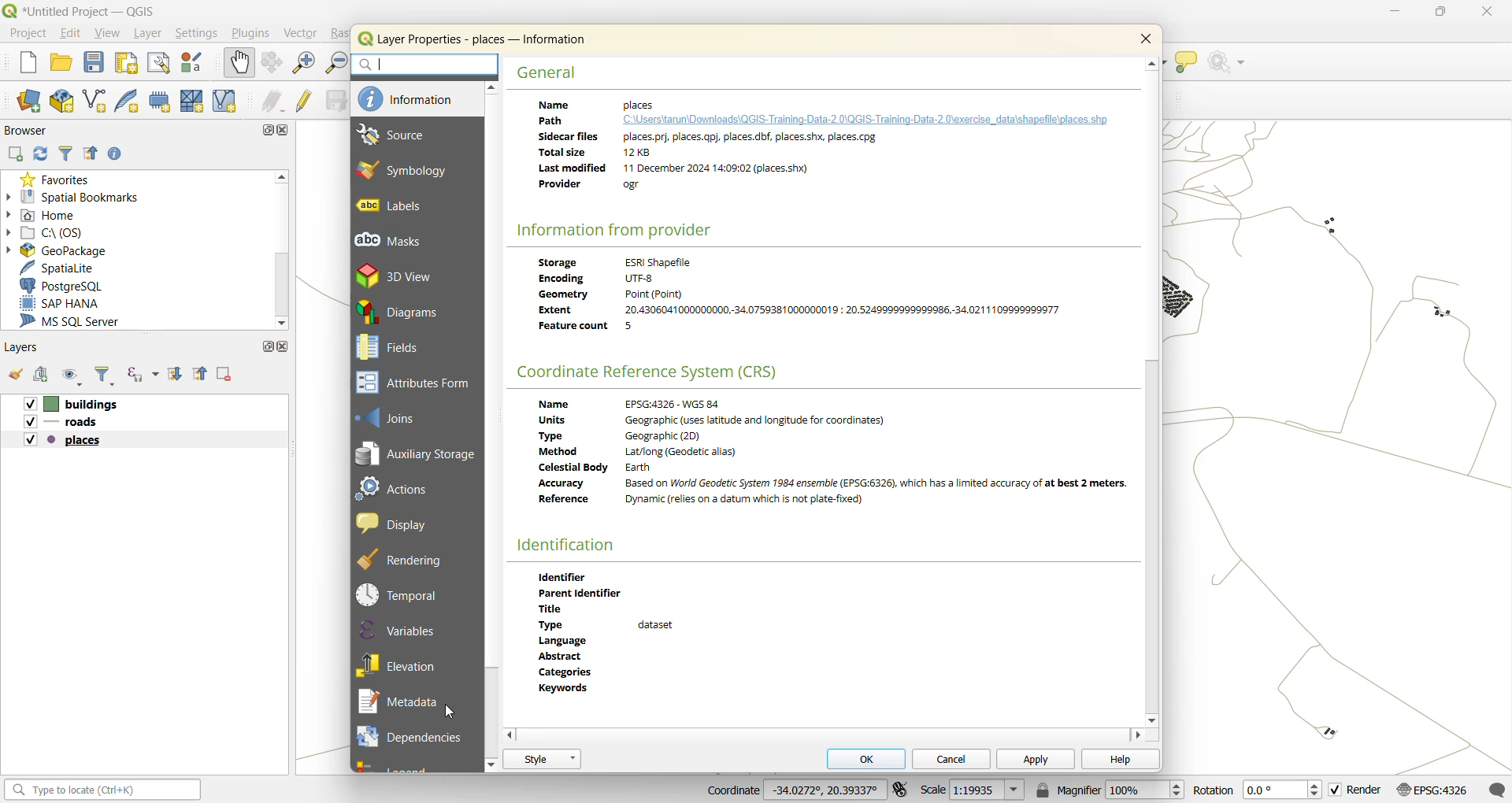 The width and height of the screenshot is (1512, 803). Describe the element at coordinates (284, 131) in the screenshot. I see `close` at that location.